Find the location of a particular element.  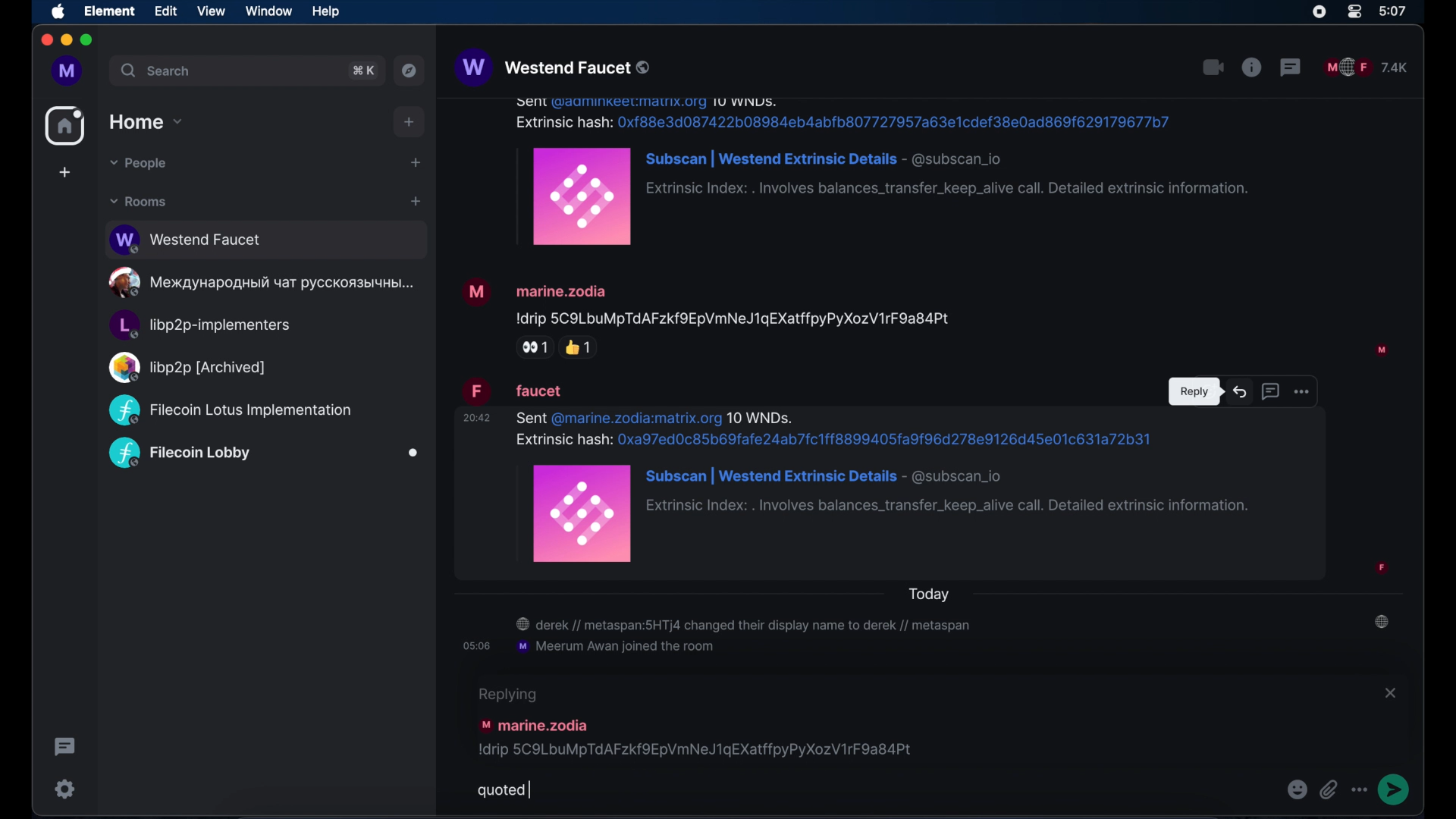

rooms dropdown is located at coordinates (138, 202).